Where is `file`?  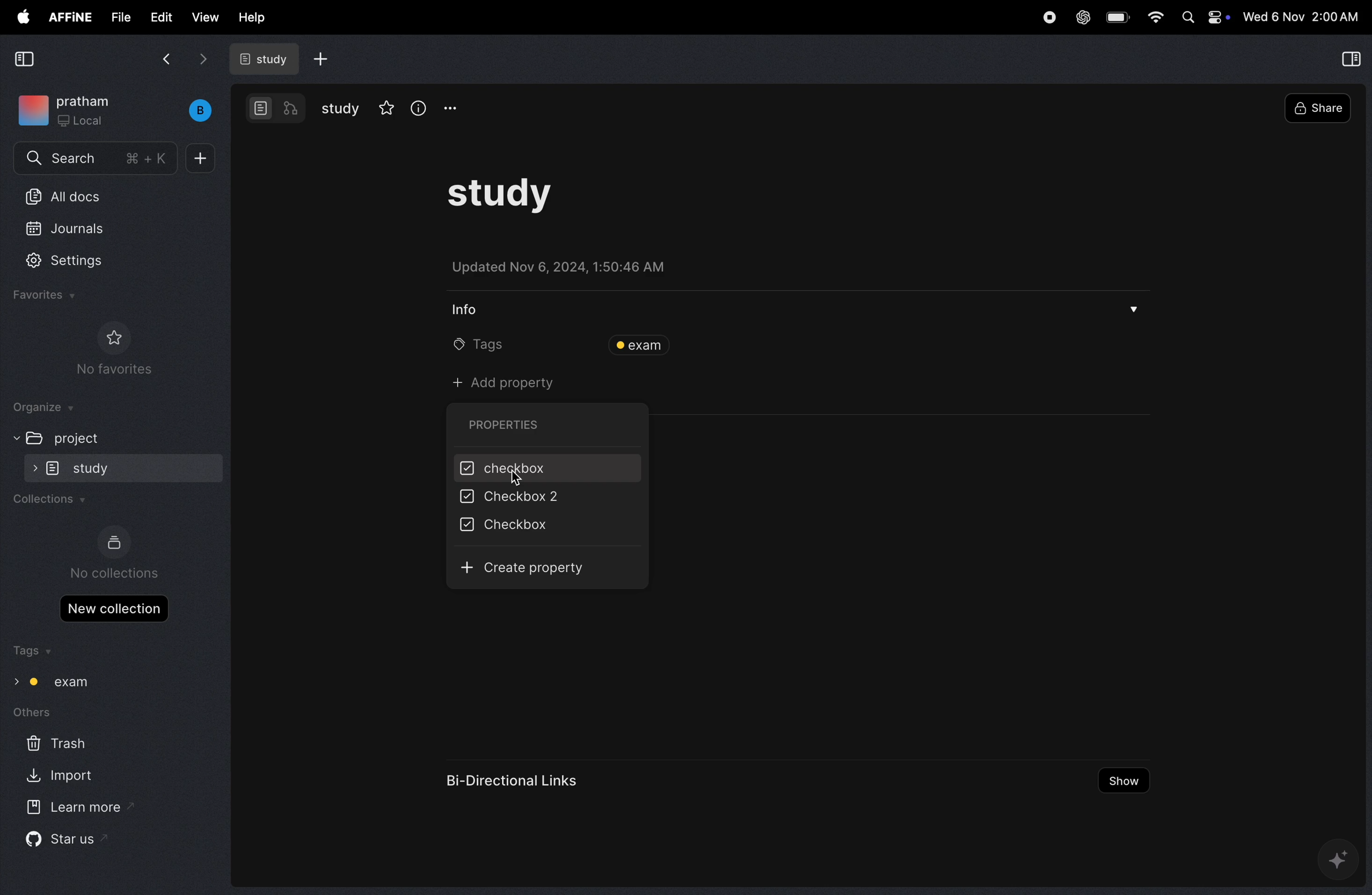 file is located at coordinates (122, 18).